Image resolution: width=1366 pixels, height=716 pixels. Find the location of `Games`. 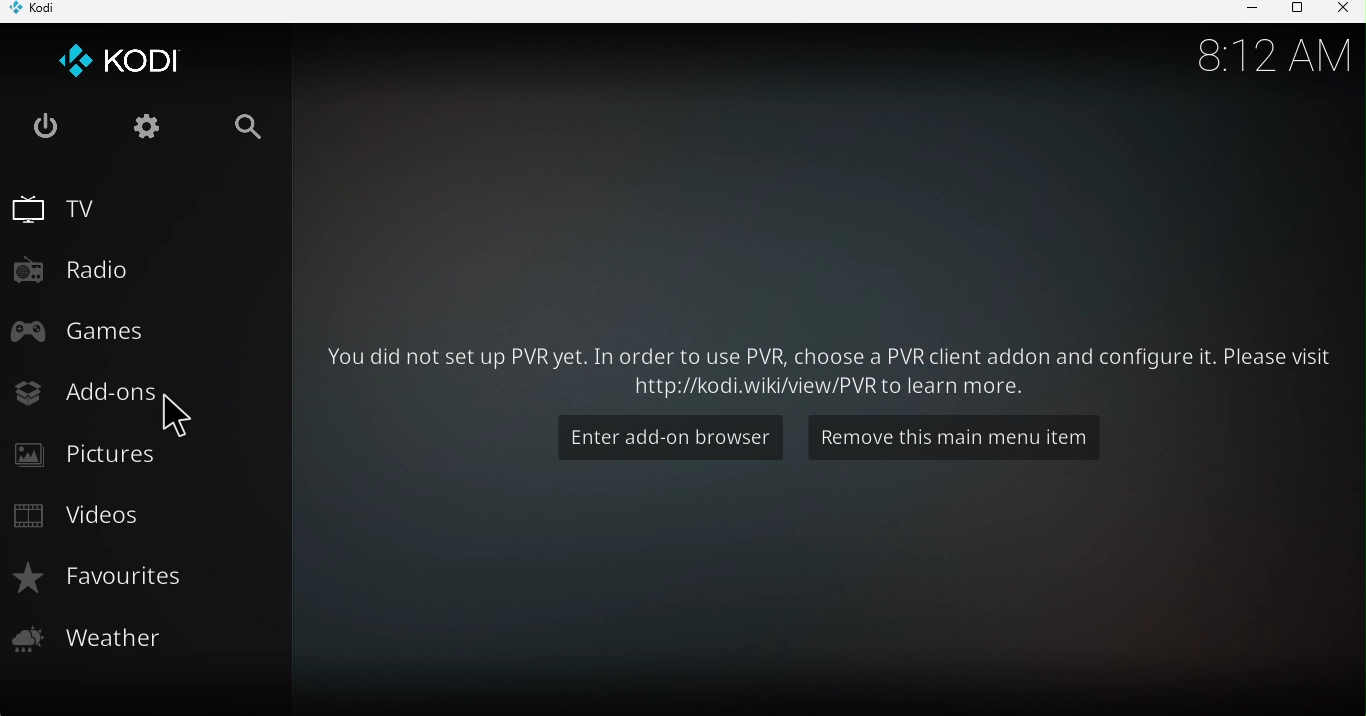

Games is located at coordinates (86, 331).